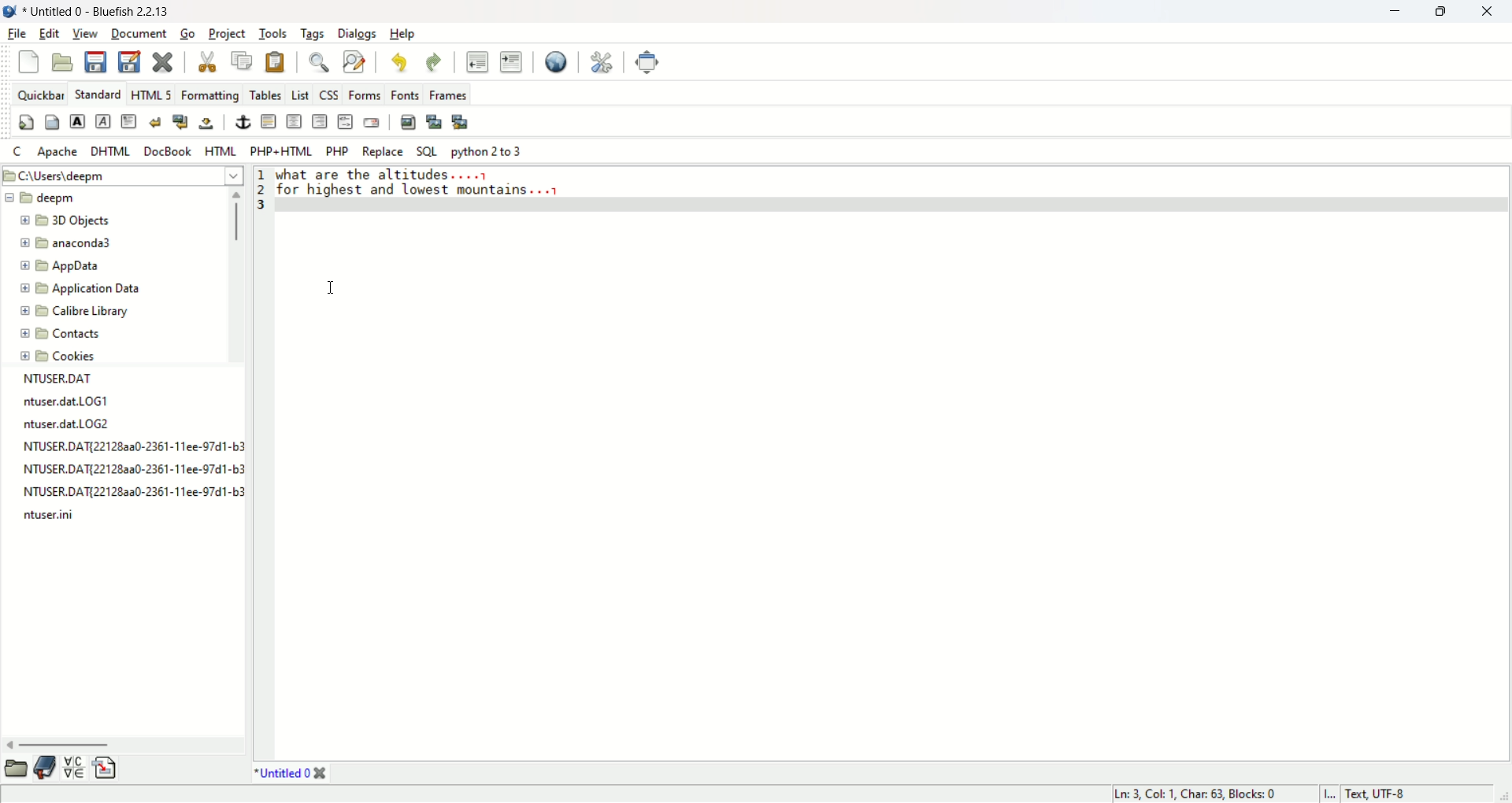  I want to click on copy, so click(242, 61).